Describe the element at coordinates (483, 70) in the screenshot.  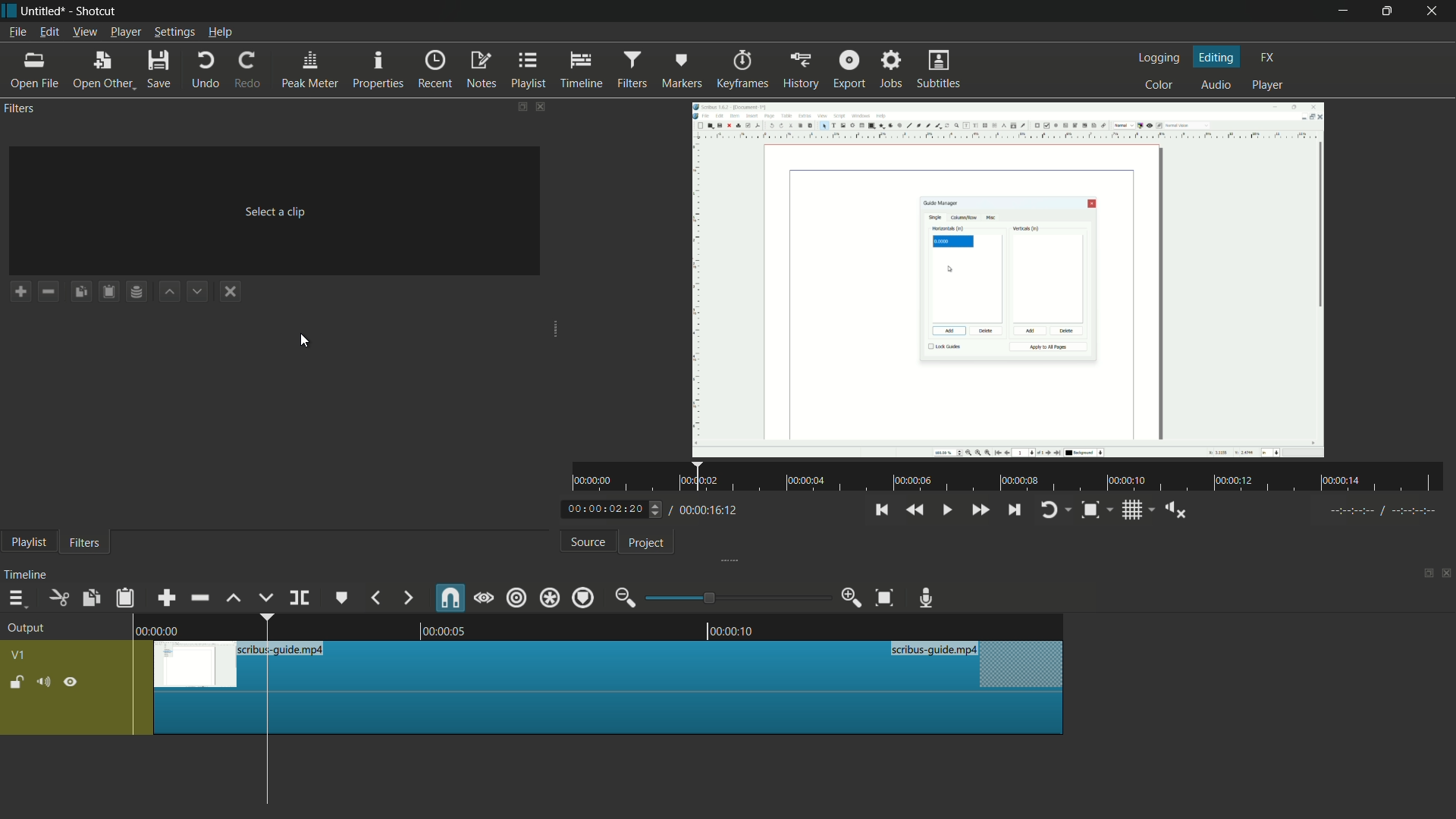
I see `notes` at that location.